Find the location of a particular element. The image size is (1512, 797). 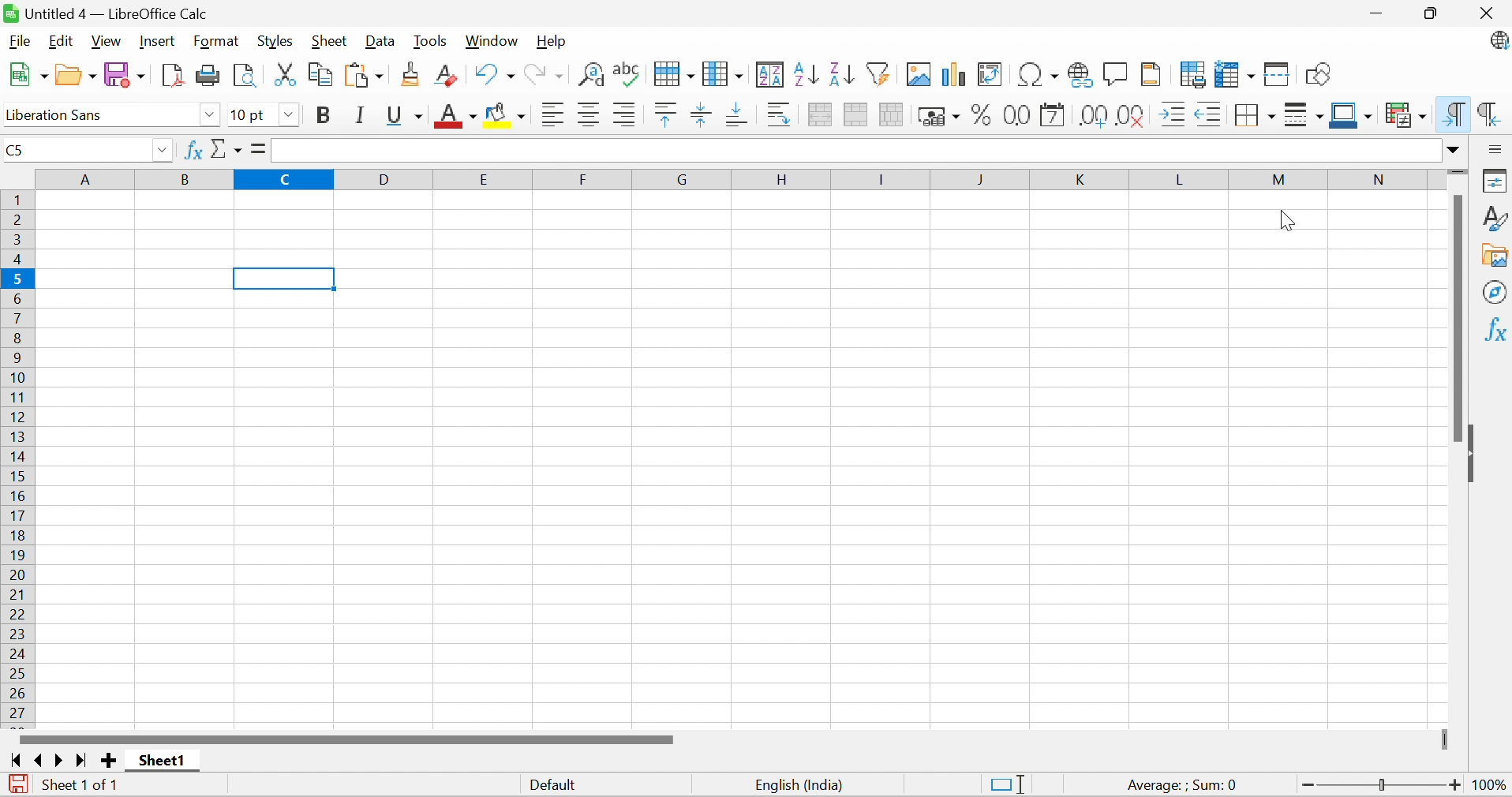

Select function is located at coordinates (227, 151).